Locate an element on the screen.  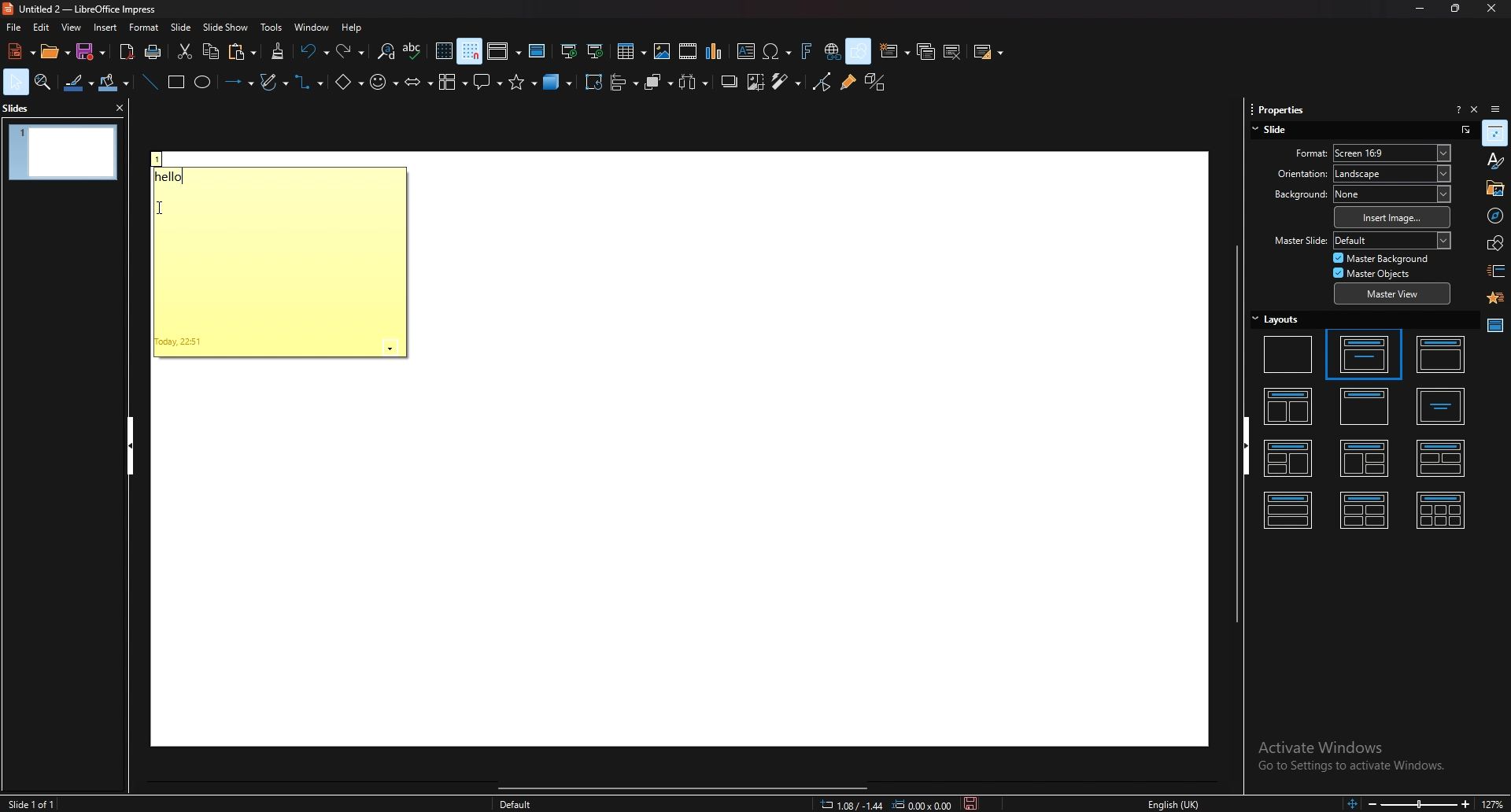
toggle point edit mode is located at coordinates (821, 83).